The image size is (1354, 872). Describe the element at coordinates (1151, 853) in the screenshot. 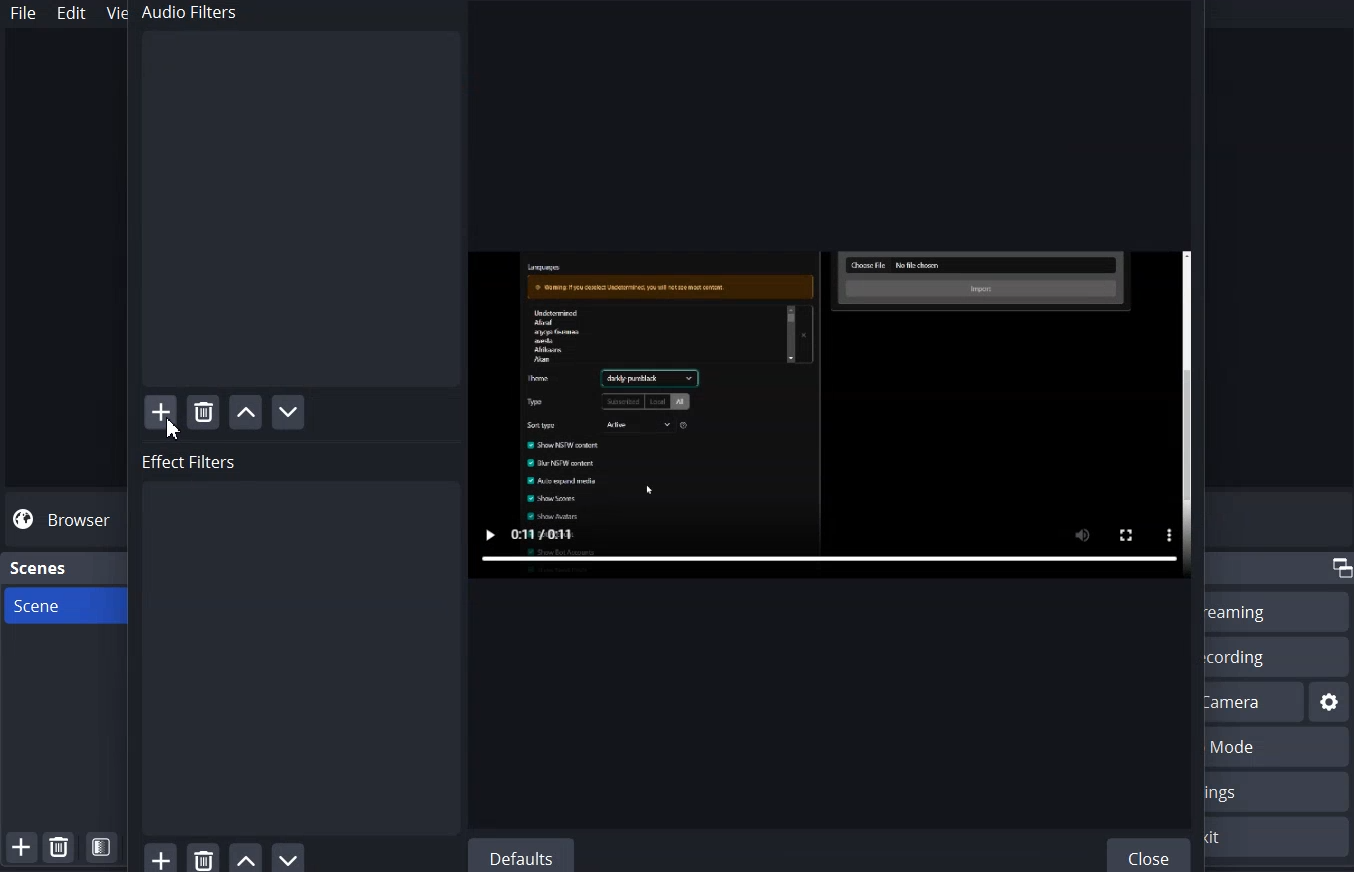

I see `Close` at that location.